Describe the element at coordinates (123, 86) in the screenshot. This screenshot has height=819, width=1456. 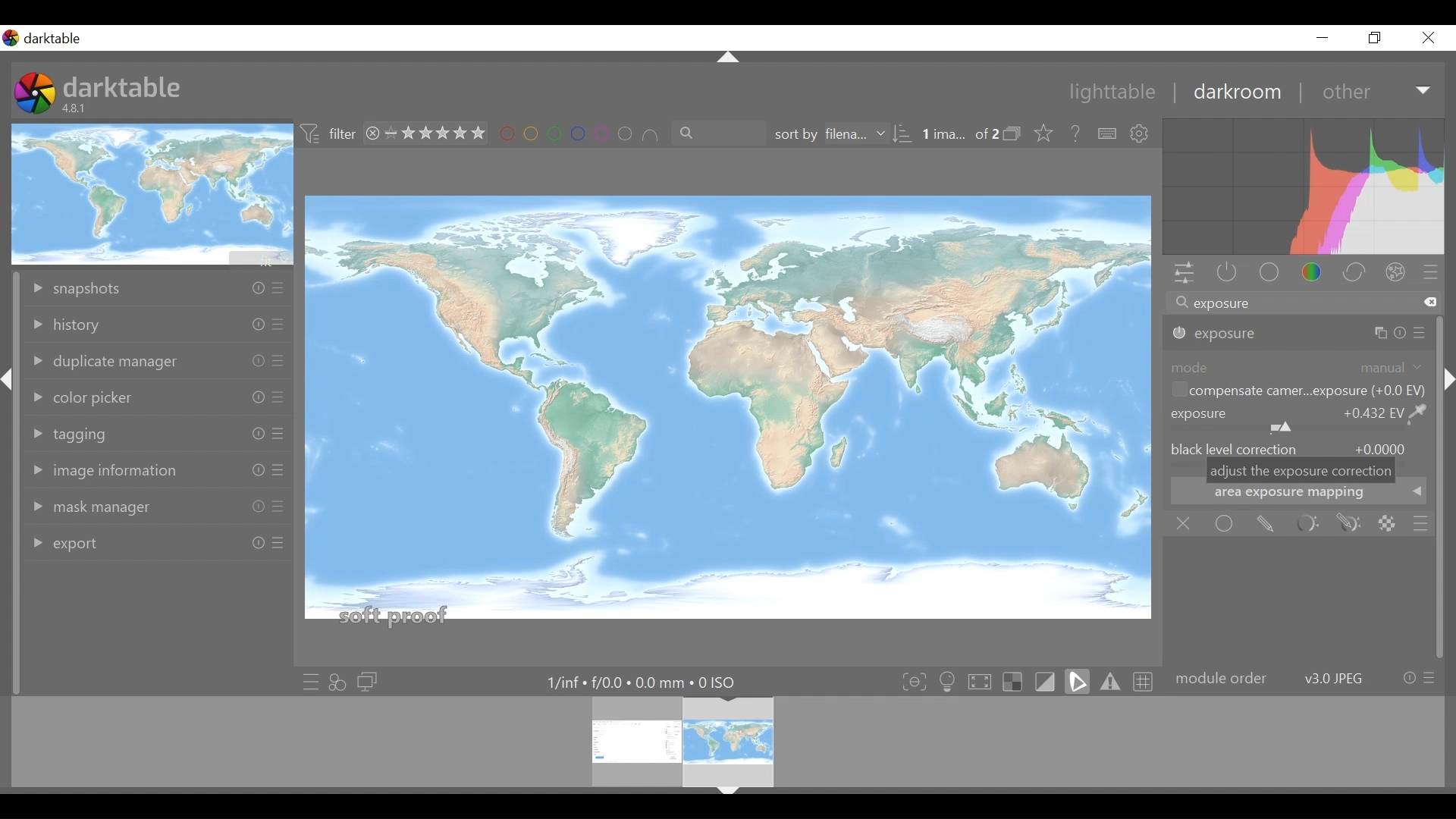
I see `darktable` at that location.